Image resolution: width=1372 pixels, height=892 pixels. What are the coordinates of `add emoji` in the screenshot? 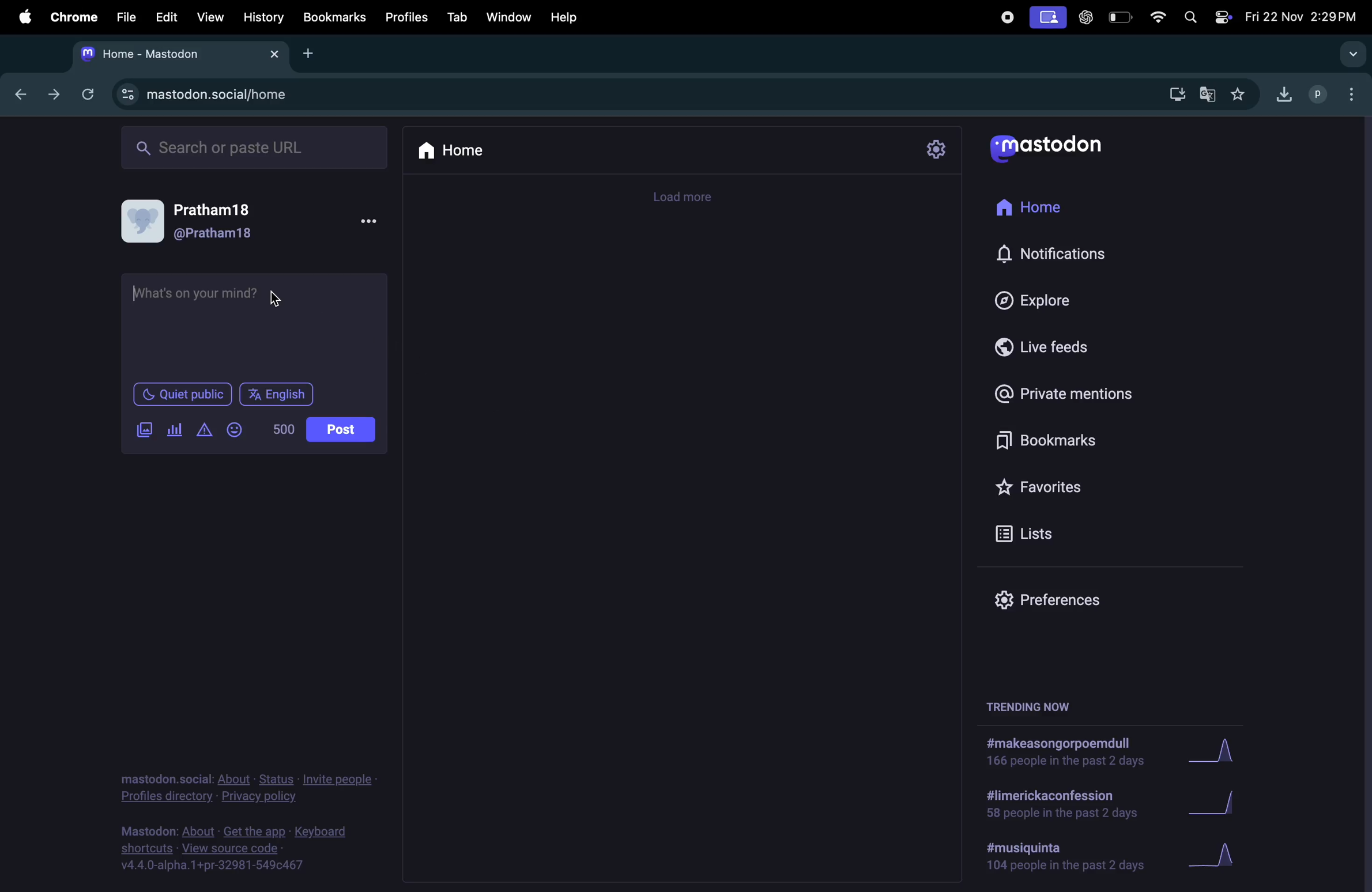 It's located at (236, 429).